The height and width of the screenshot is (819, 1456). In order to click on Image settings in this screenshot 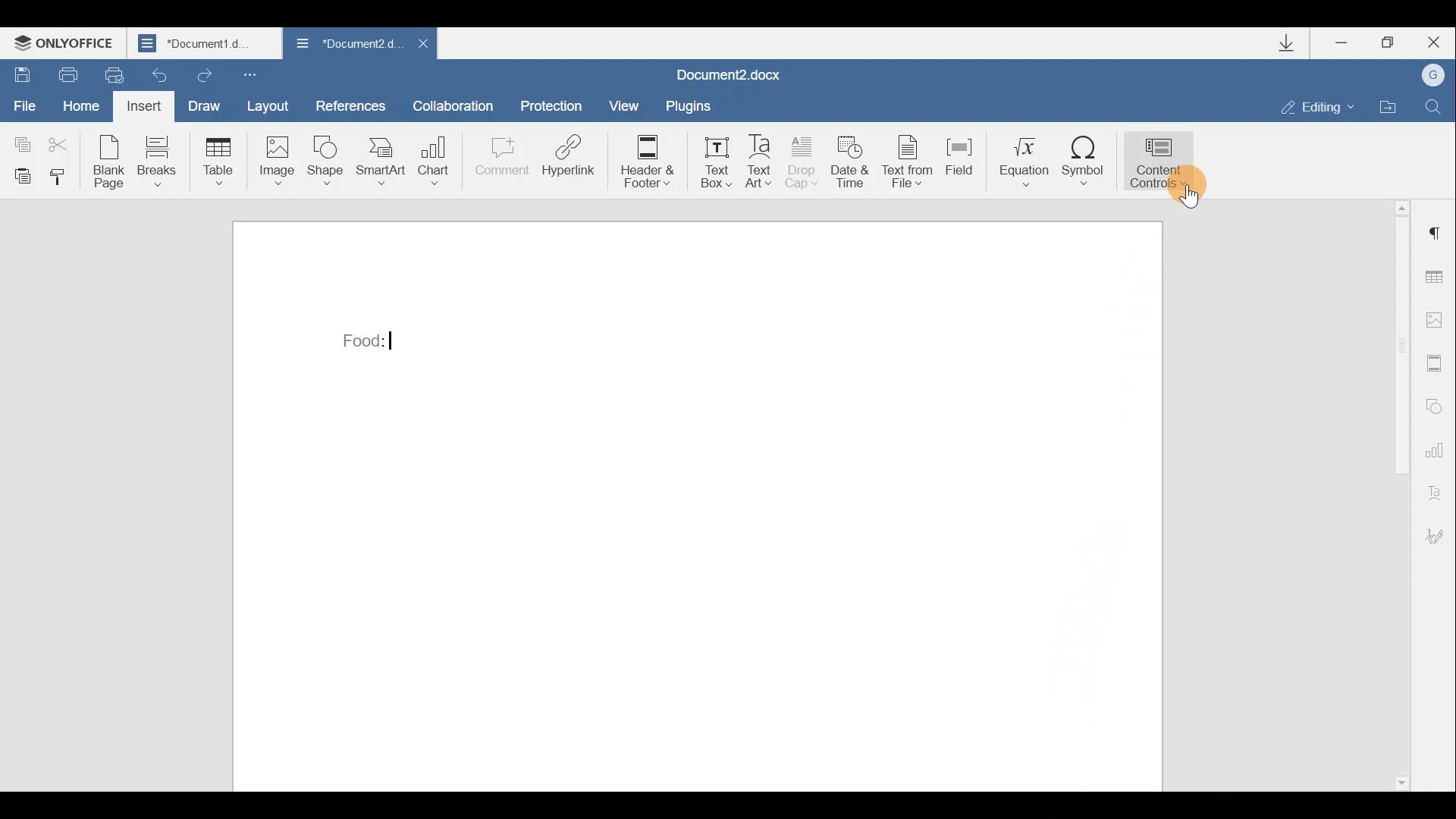, I will do `click(1438, 320)`.